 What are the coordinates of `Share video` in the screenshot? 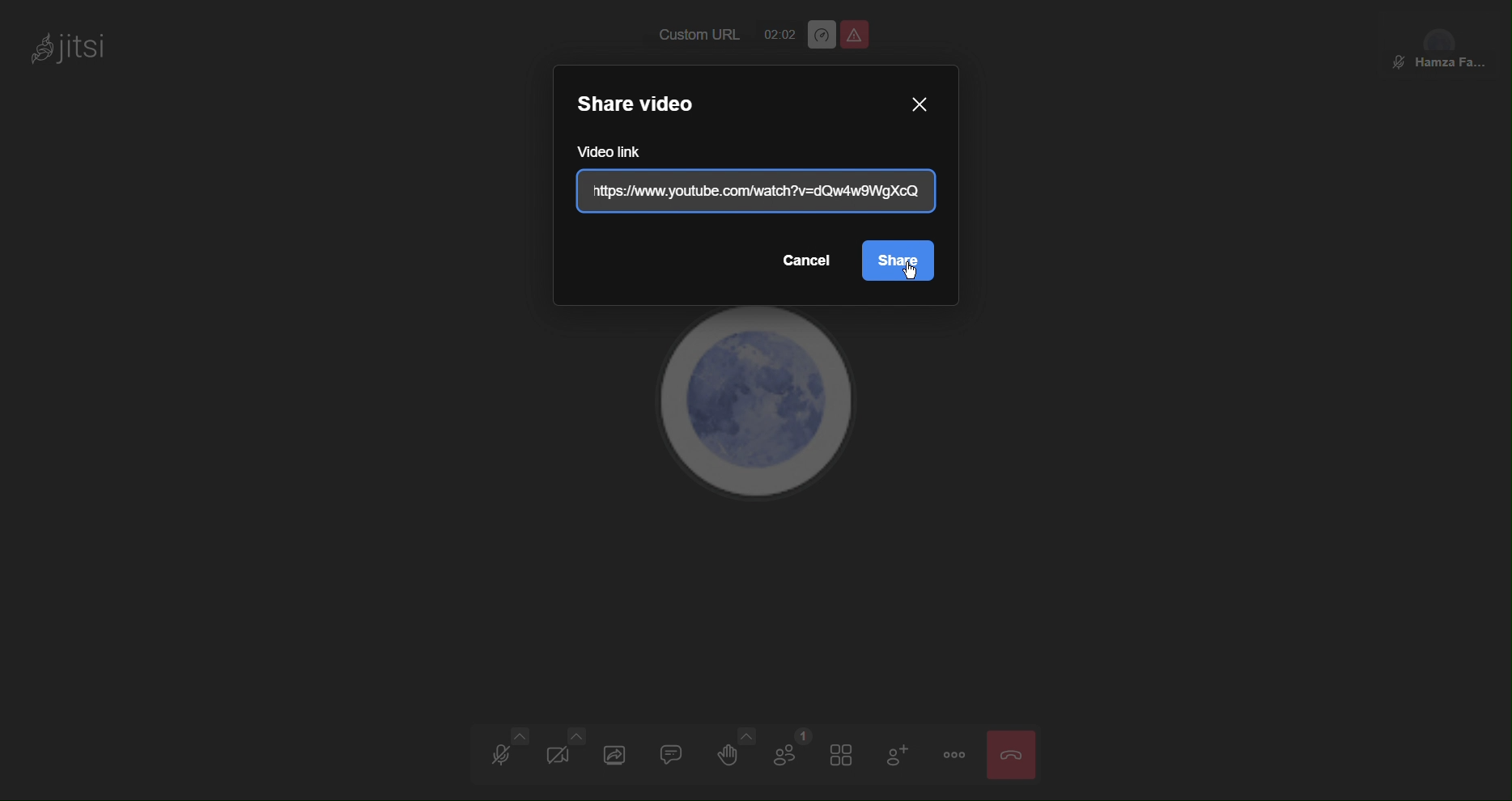 It's located at (648, 104).